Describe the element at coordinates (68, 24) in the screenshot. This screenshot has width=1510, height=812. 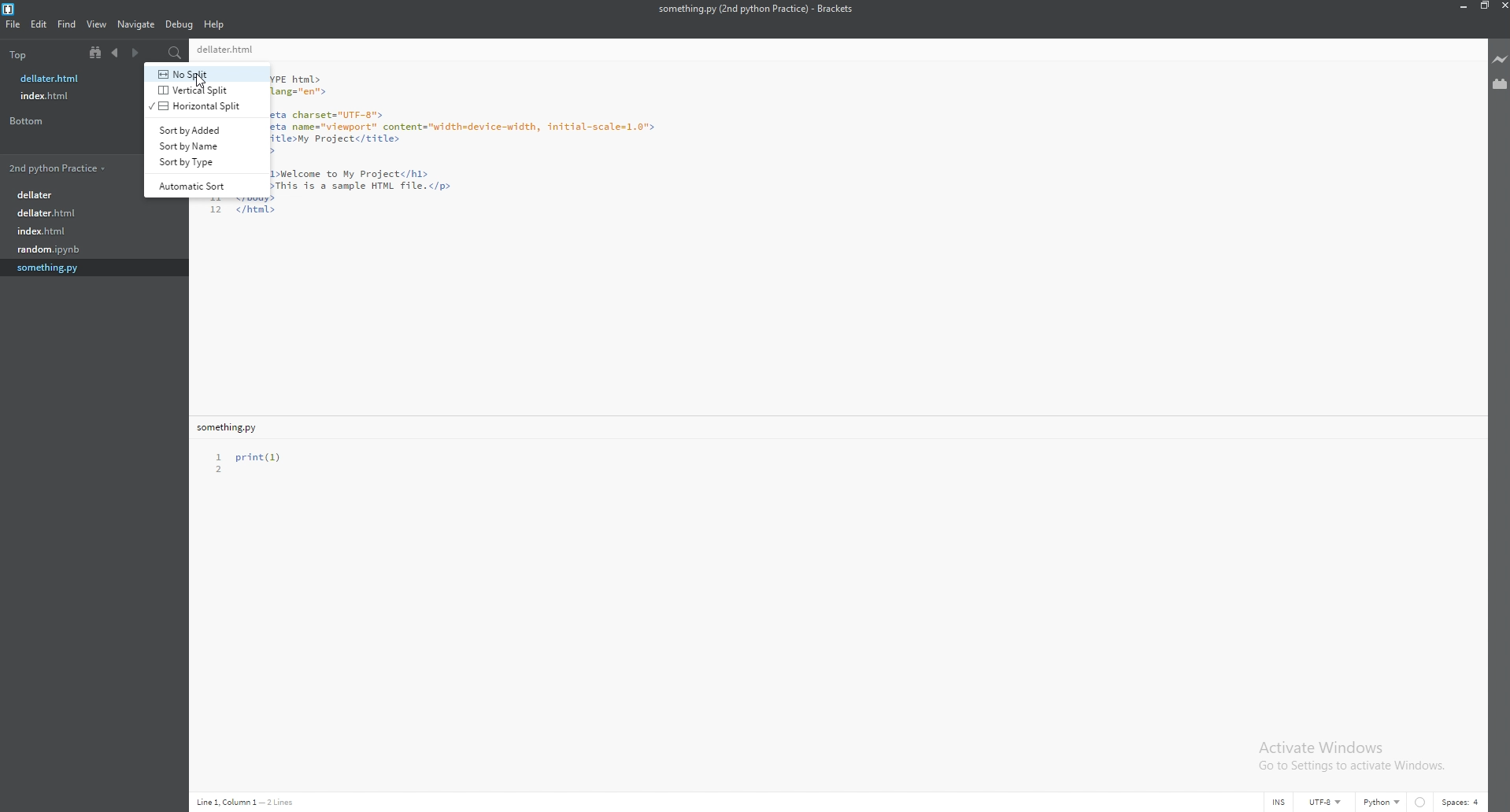
I see `find` at that location.